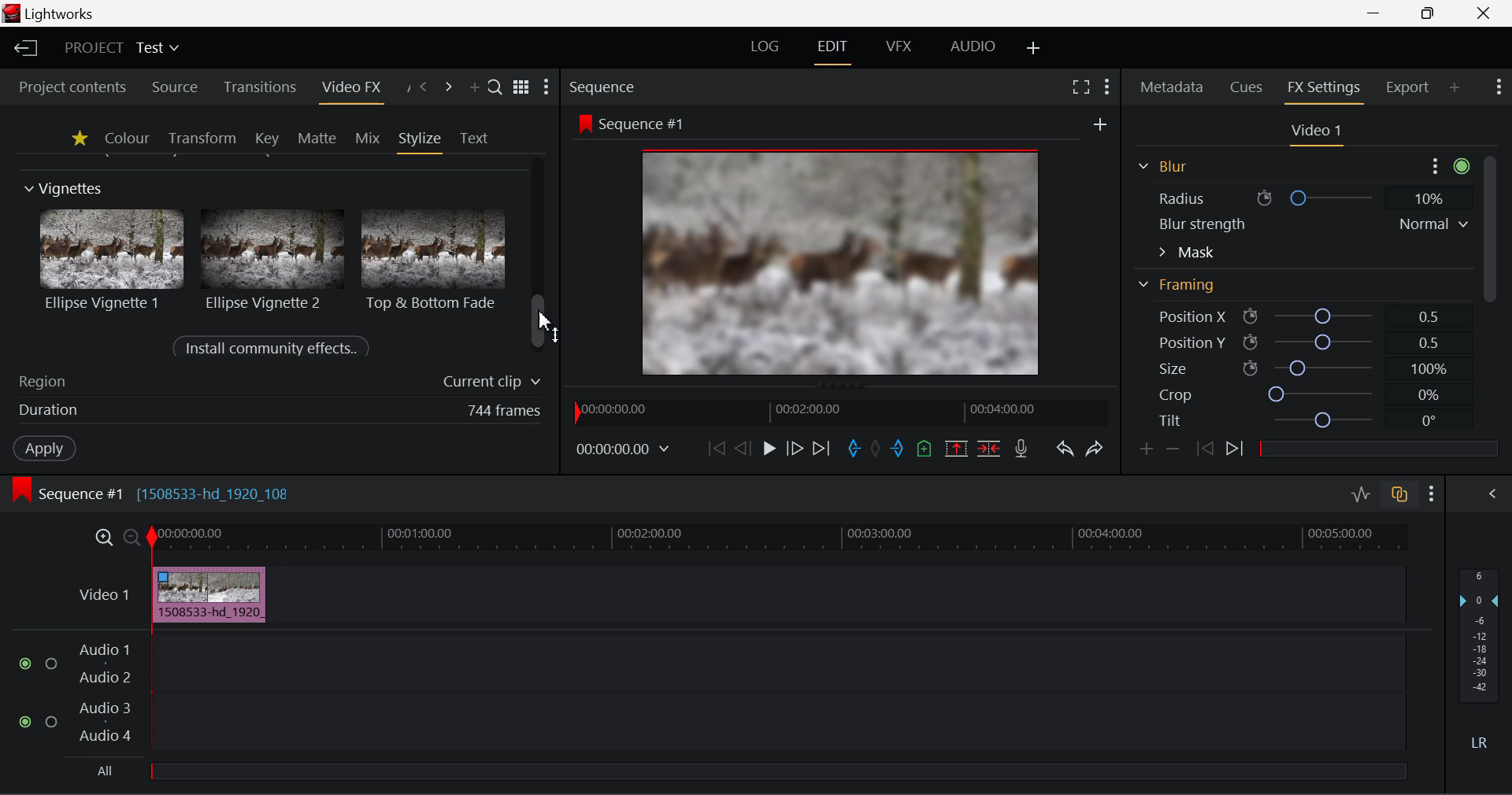  Describe the element at coordinates (113, 260) in the screenshot. I see `Ellipse Vignette 1` at that location.